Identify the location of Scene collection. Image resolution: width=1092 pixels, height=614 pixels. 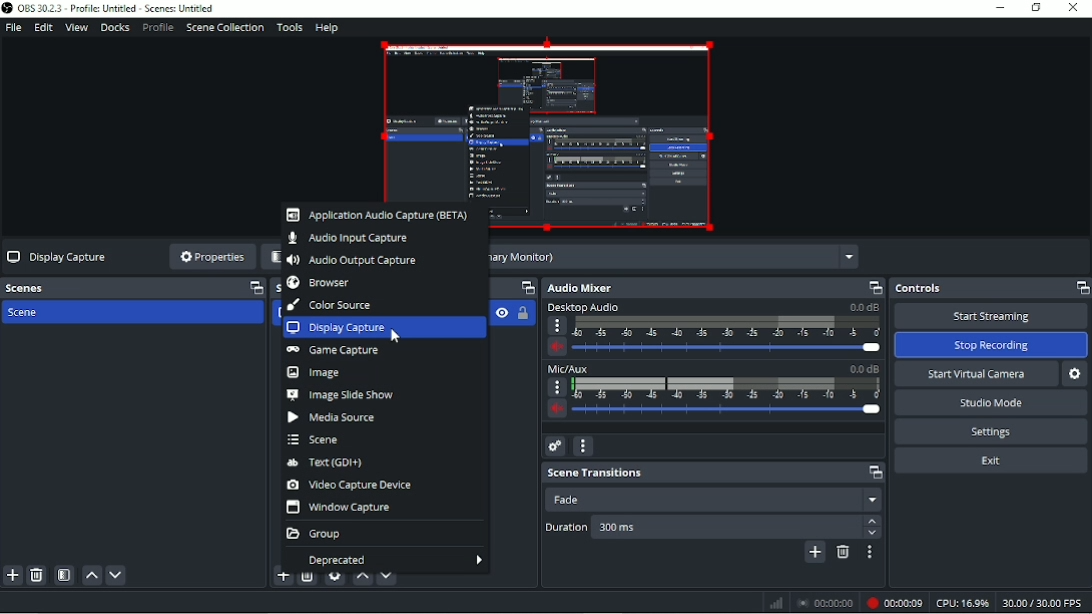
(224, 28).